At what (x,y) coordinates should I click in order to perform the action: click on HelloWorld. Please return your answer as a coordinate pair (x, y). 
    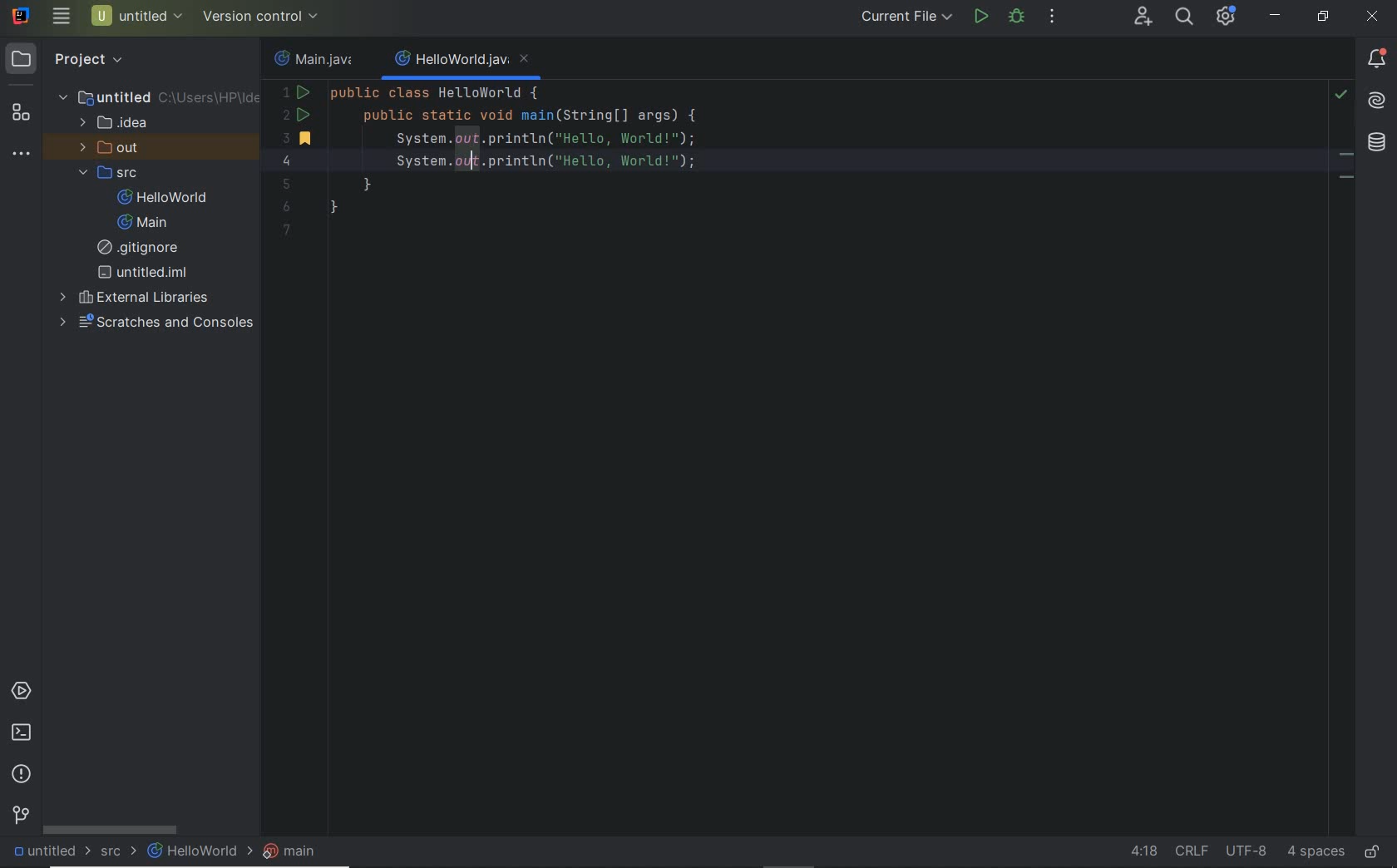
    Looking at the image, I should click on (196, 851).